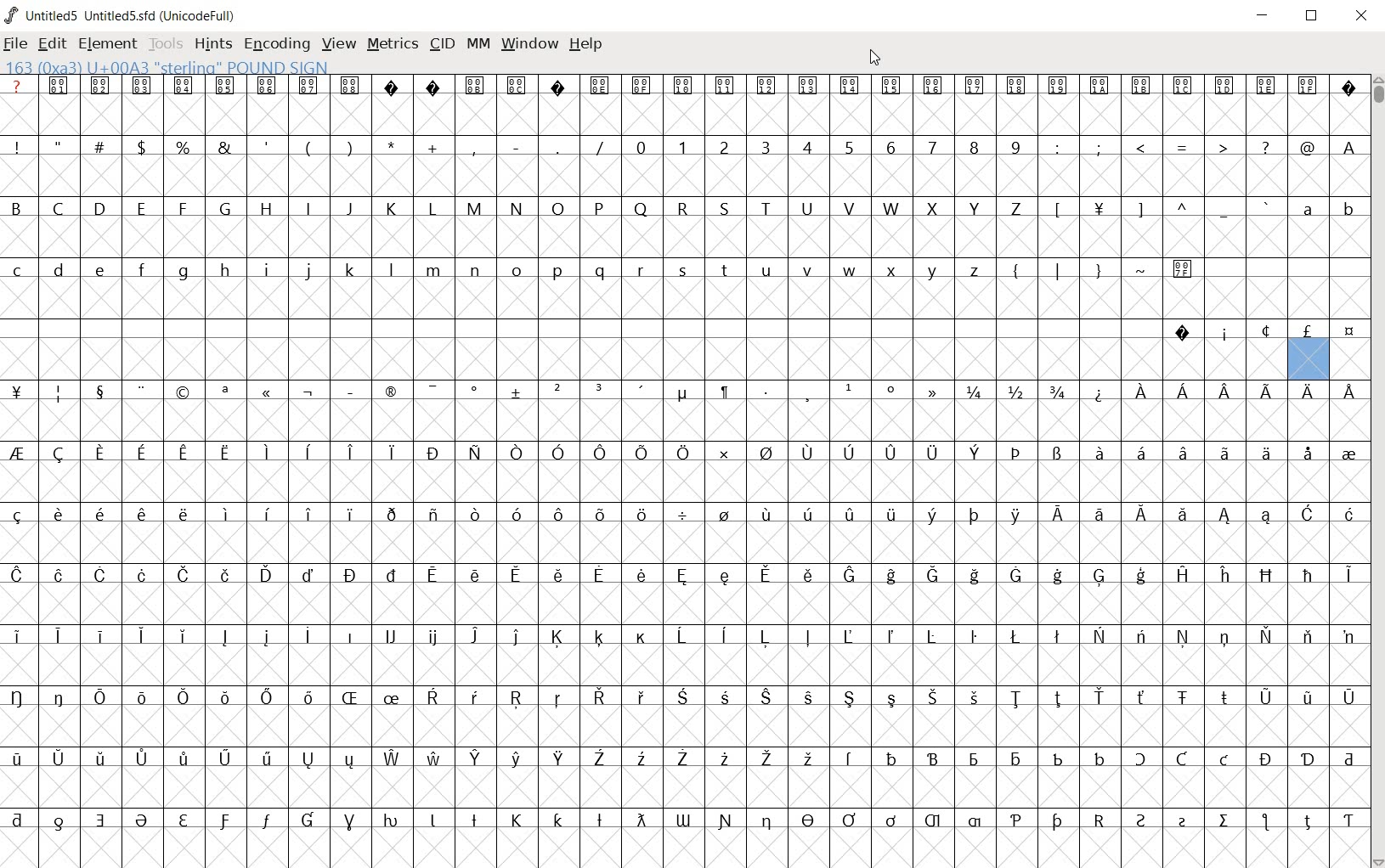 This screenshot has height=868, width=1385. Describe the element at coordinates (102, 86) in the screenshot. I see `Symbol` at that location.